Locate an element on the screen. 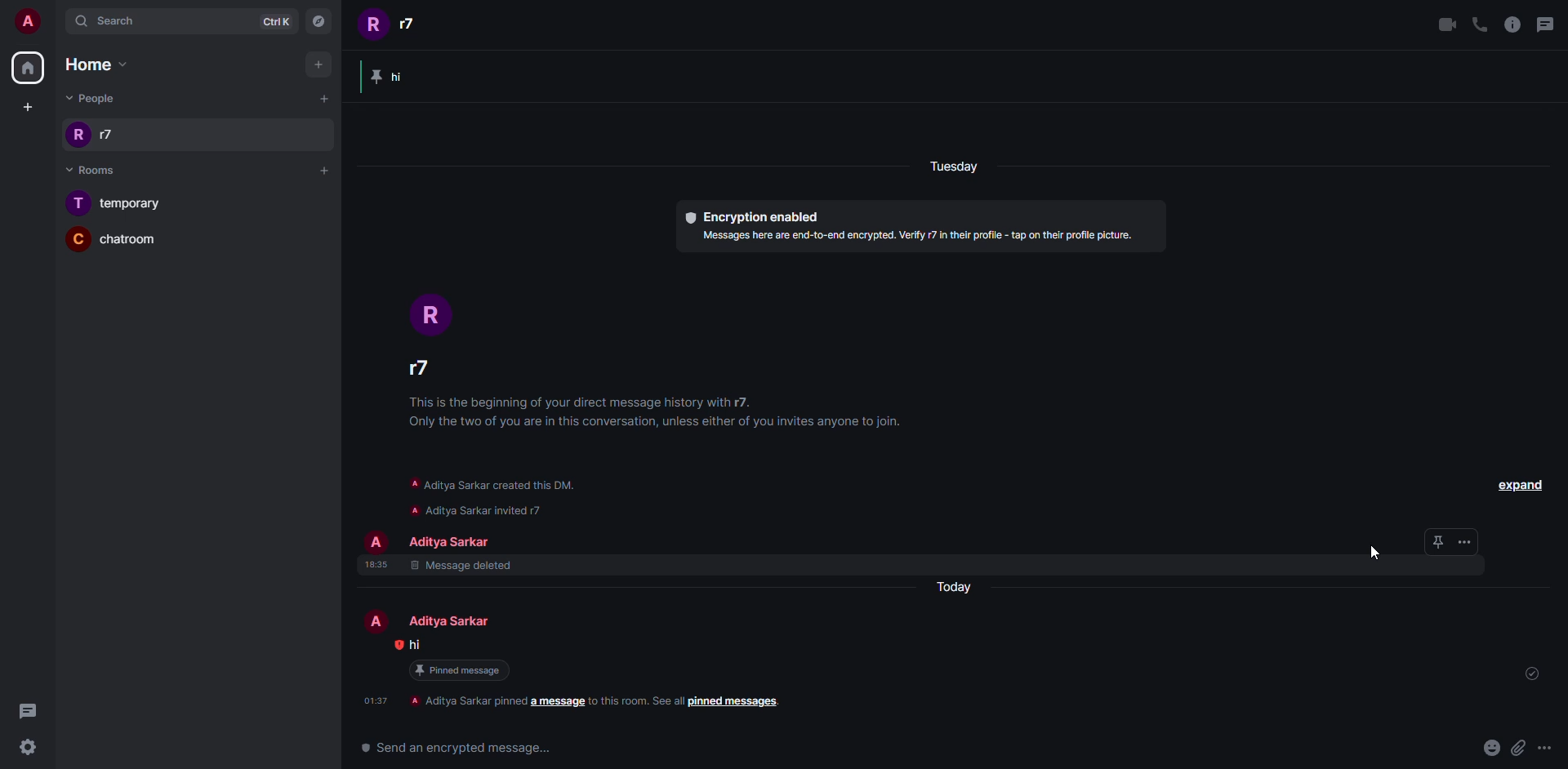  navigator is located at coordinates (318, 20).